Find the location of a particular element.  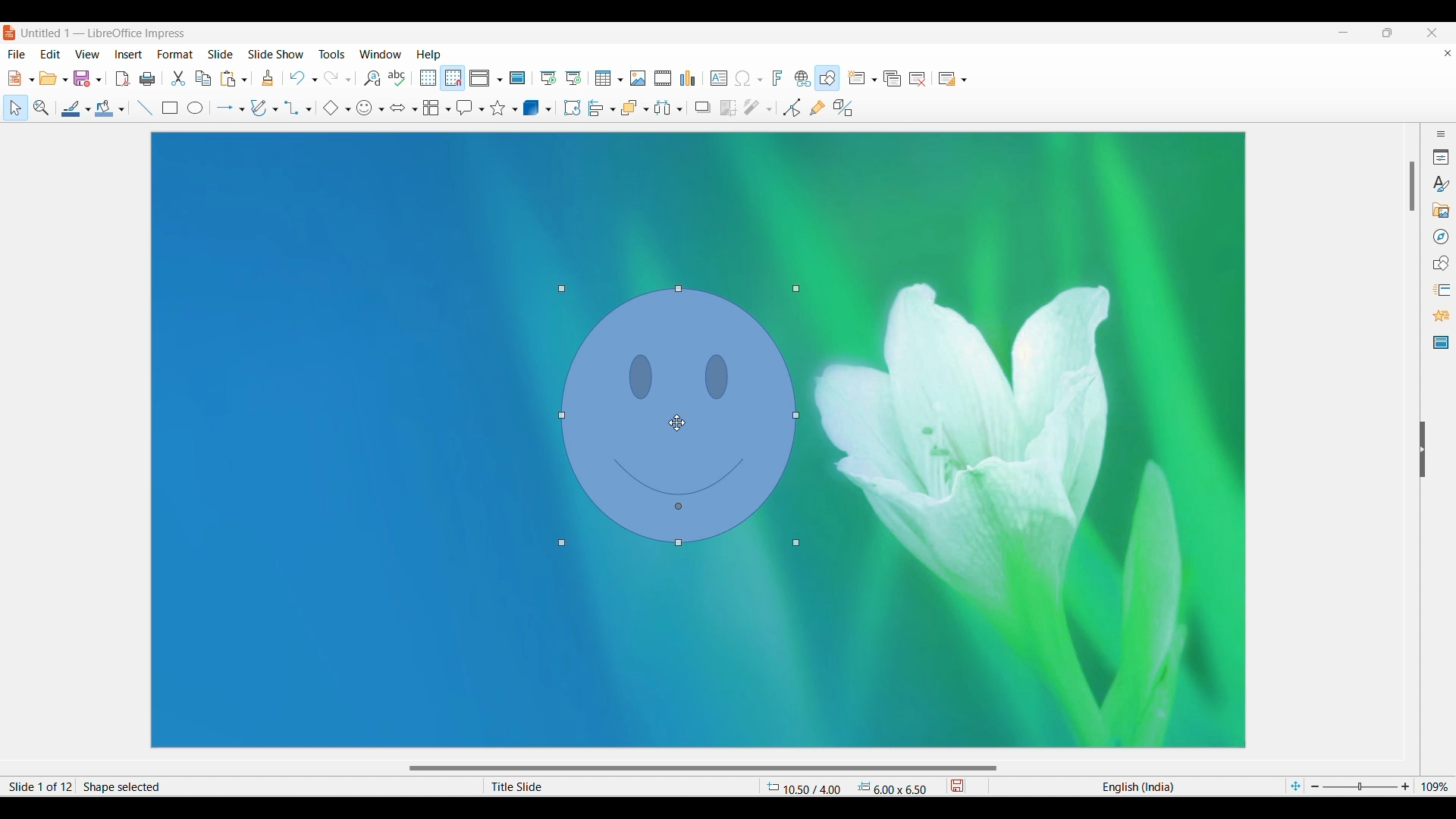

Zoom out is located at coordinates (1315, 786).